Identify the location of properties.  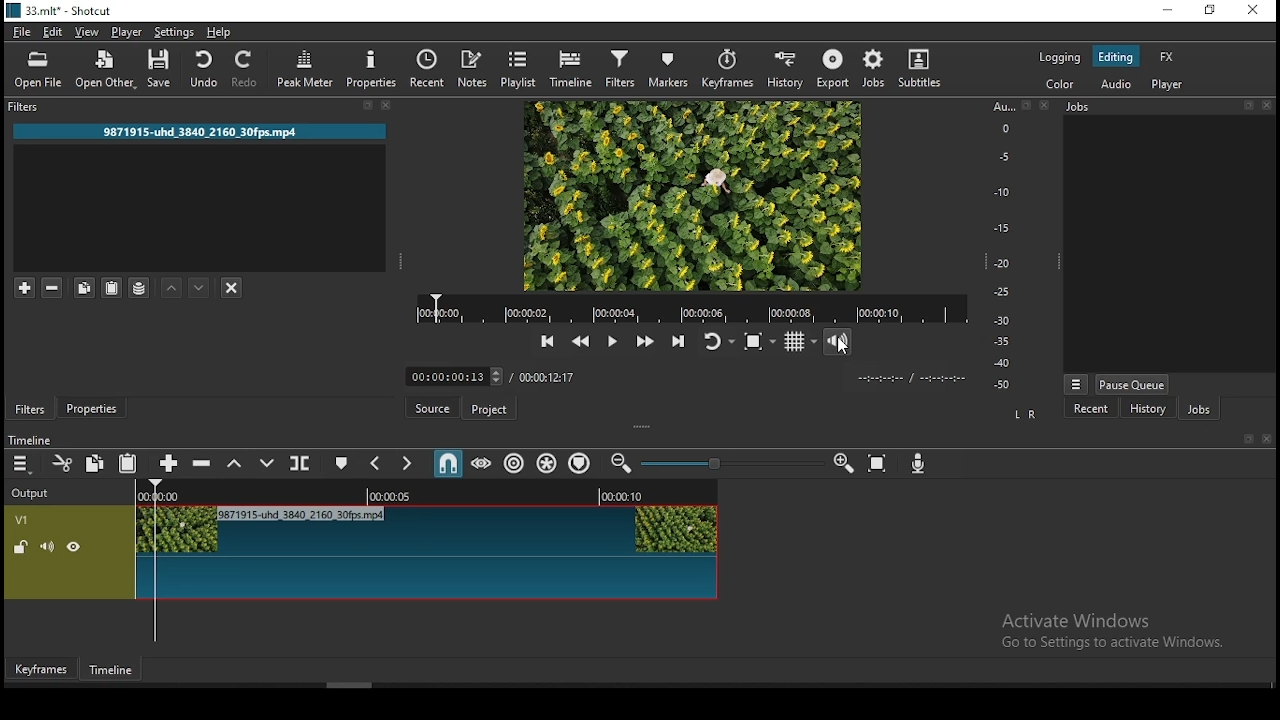
(92, 408).